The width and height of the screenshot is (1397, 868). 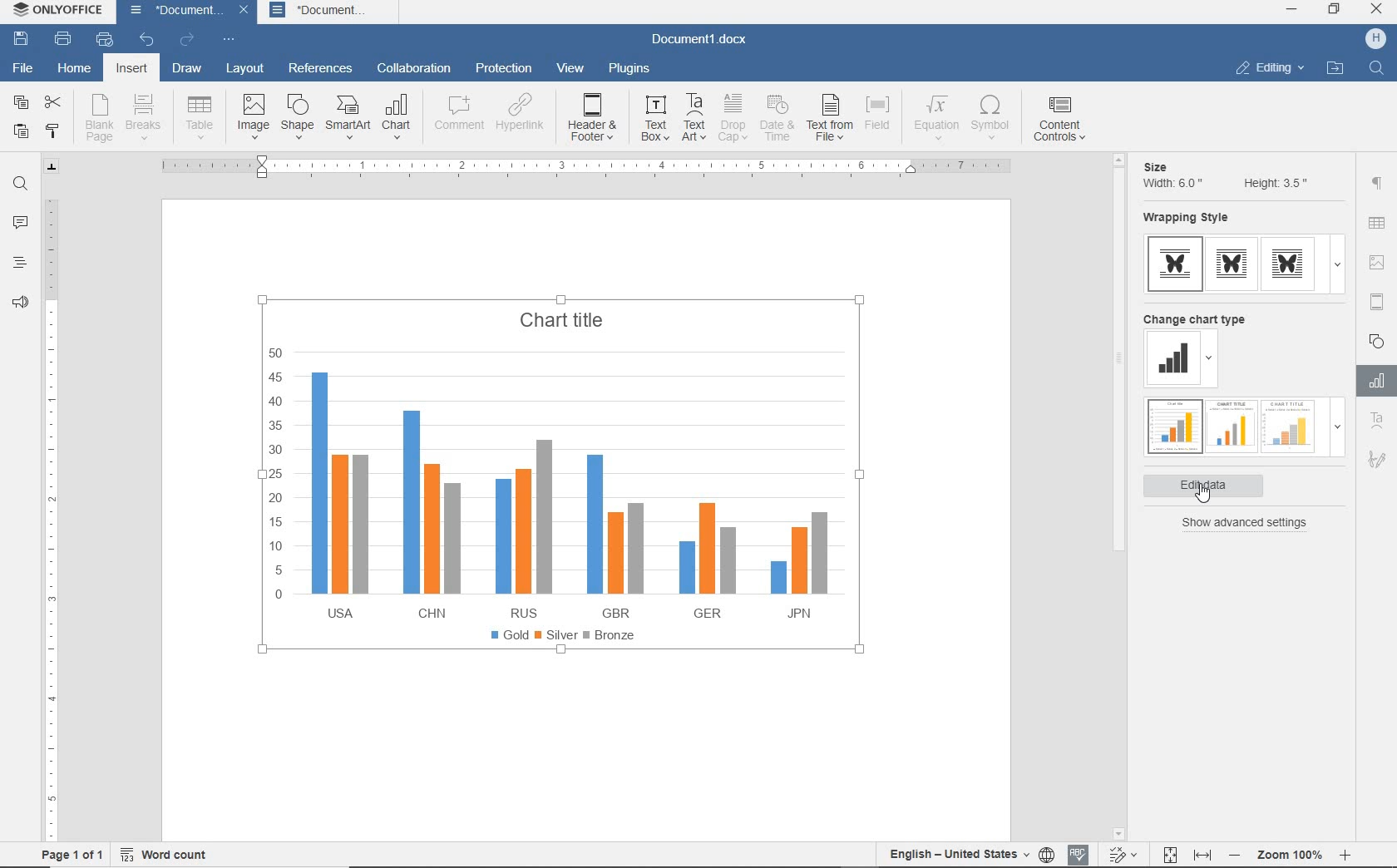 What do you see at coordinates (521, 117) in the screenshot?
I see `hyperlink` at bounding box center [521, 117].